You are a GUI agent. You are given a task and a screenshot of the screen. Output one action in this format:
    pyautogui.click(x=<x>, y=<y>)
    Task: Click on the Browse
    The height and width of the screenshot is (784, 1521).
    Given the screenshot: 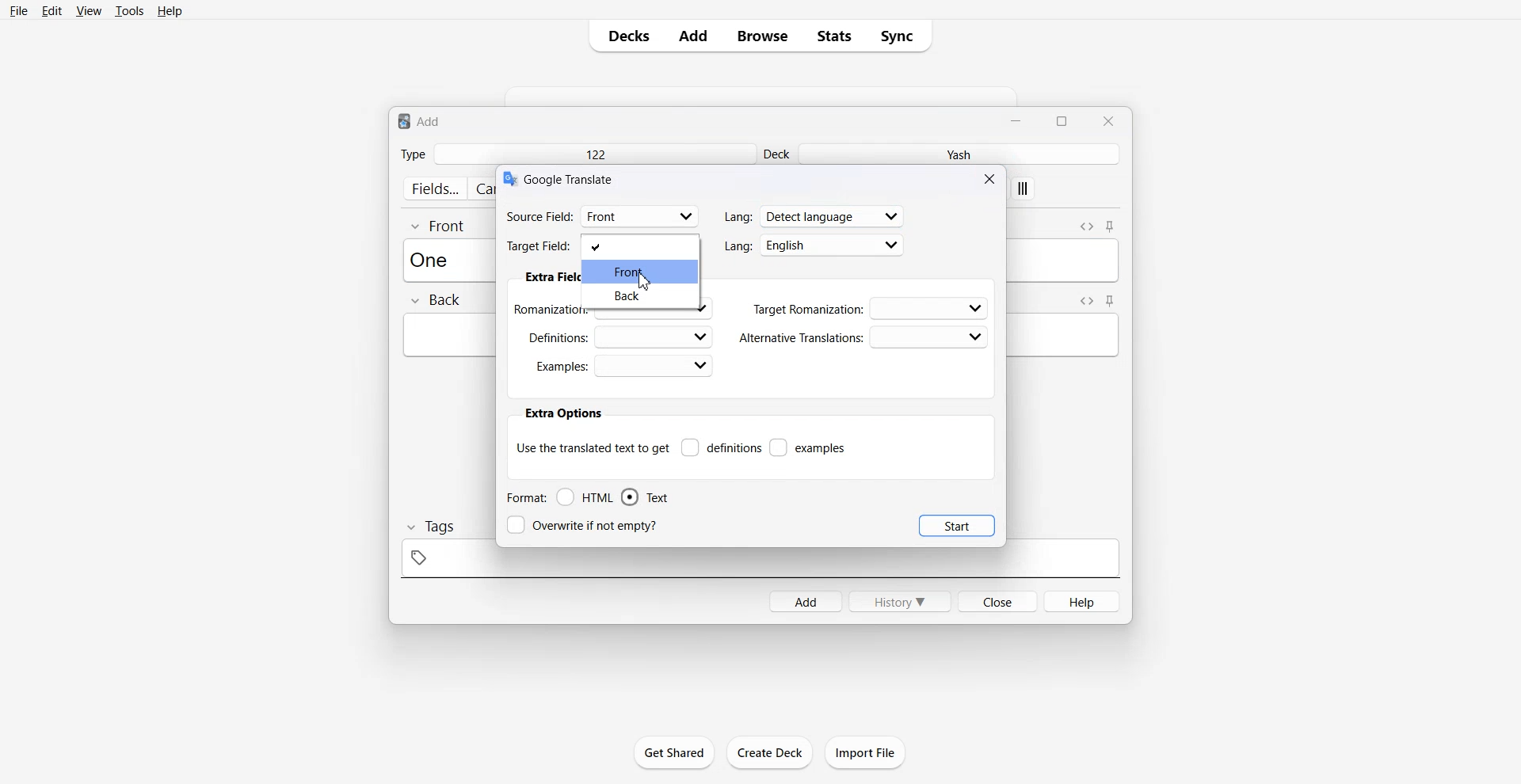 What is the action you would take?
    pyautogui.click(x=763, y=36)
    